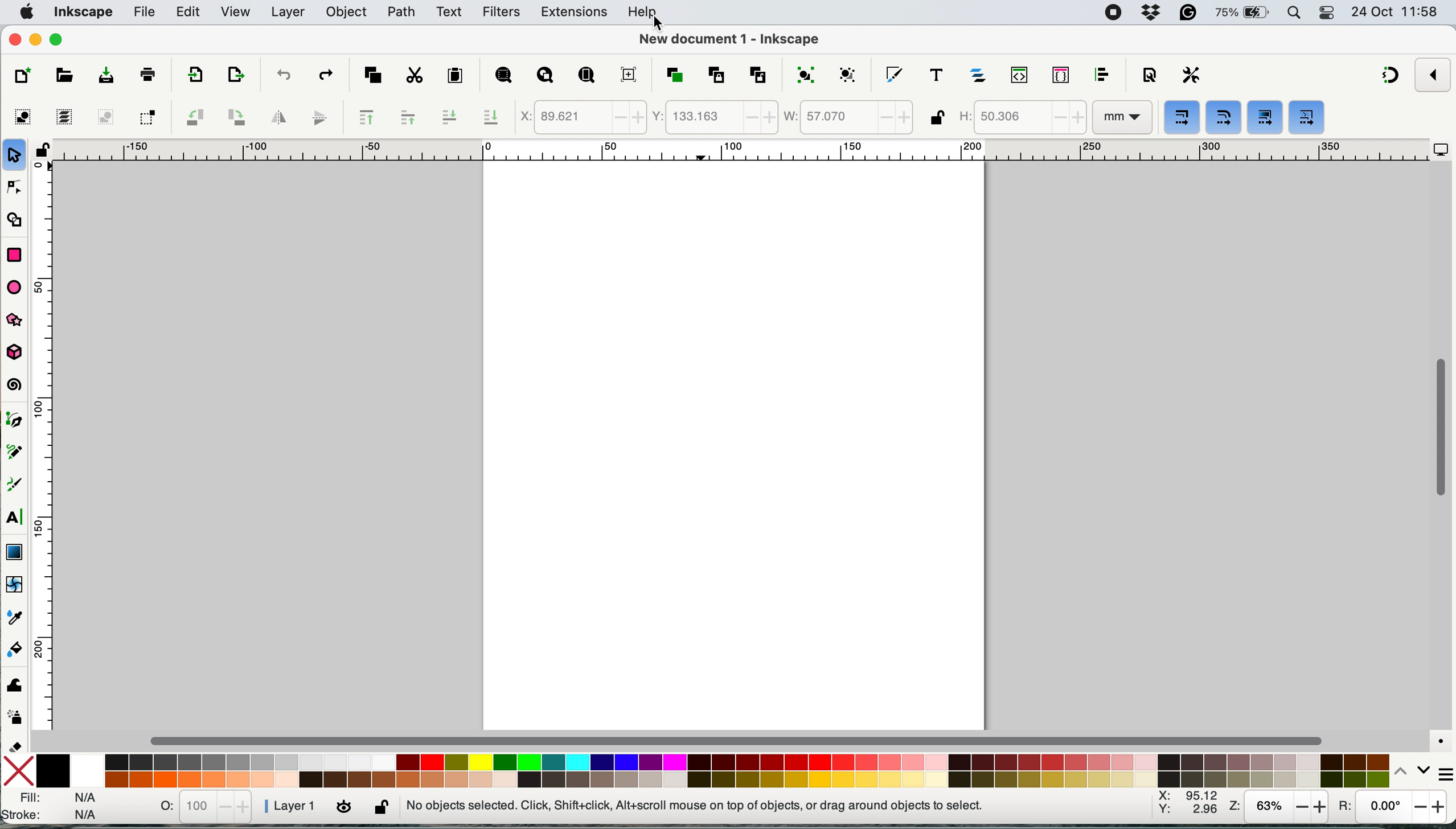 Image resolution: width=1456 pixels, height=829 pixels. I want to click on horizontal ruler, so click(743, 149).